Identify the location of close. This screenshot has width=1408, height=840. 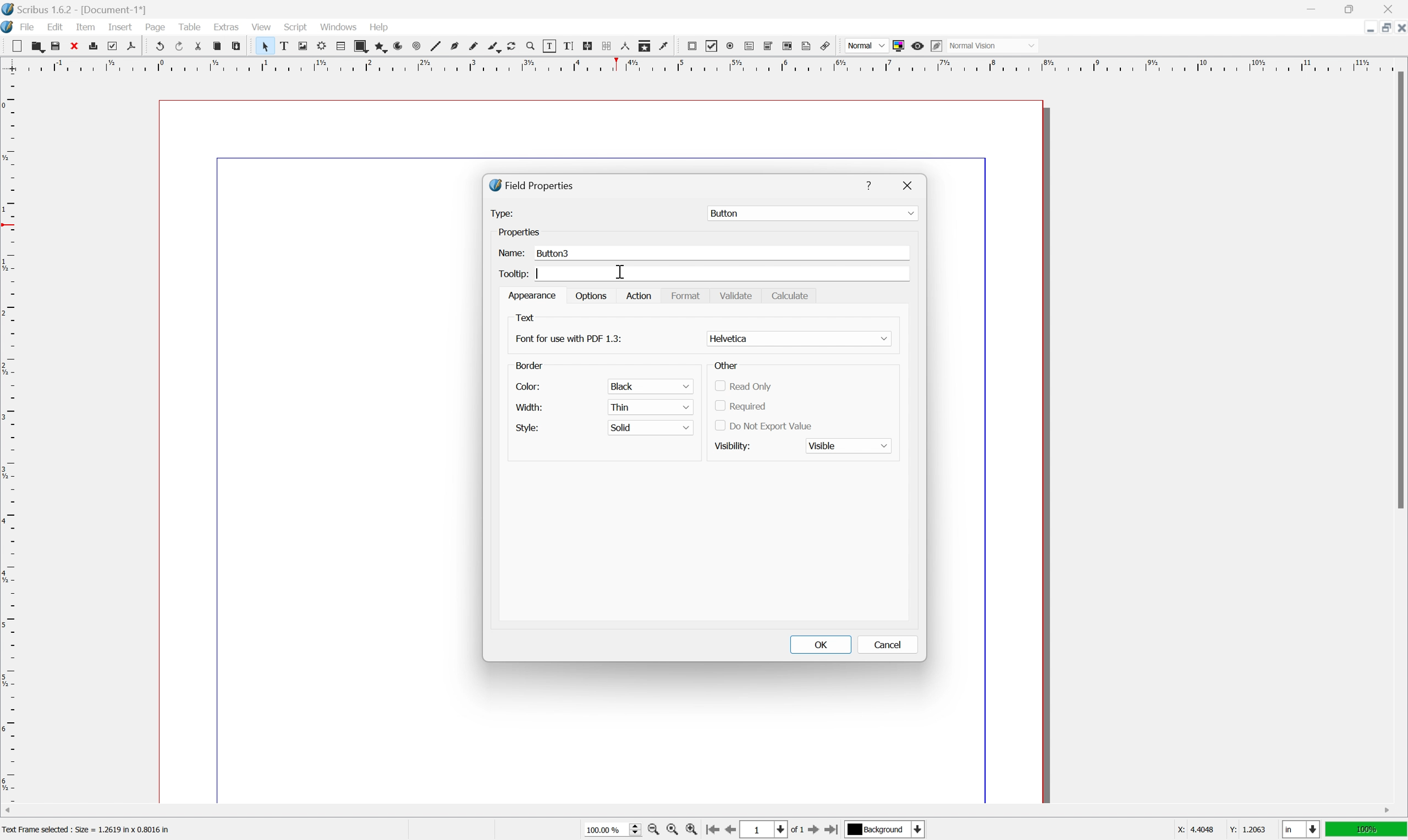
(1399, 28).